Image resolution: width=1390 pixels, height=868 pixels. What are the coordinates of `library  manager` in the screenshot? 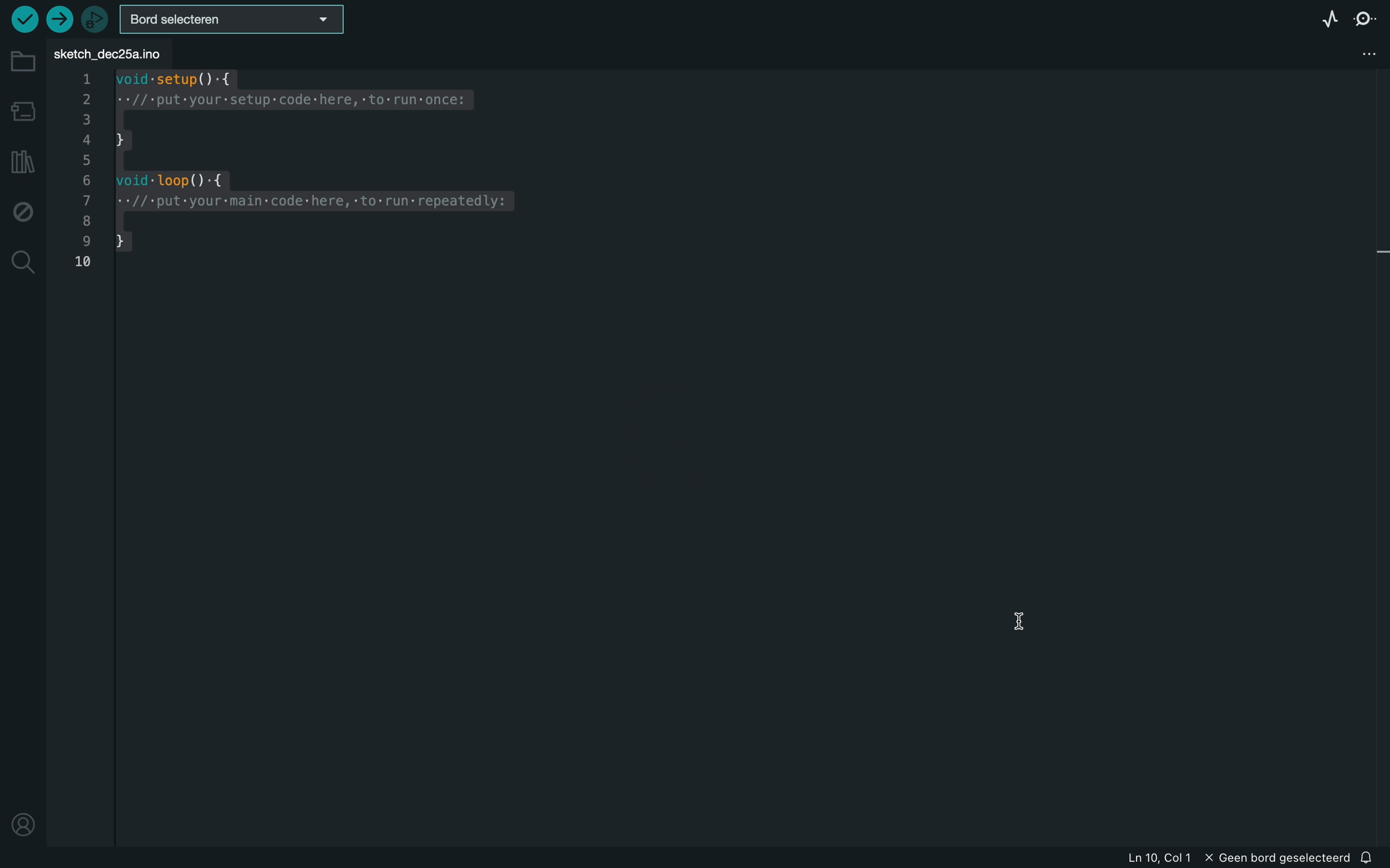 It's located at (21, 161).